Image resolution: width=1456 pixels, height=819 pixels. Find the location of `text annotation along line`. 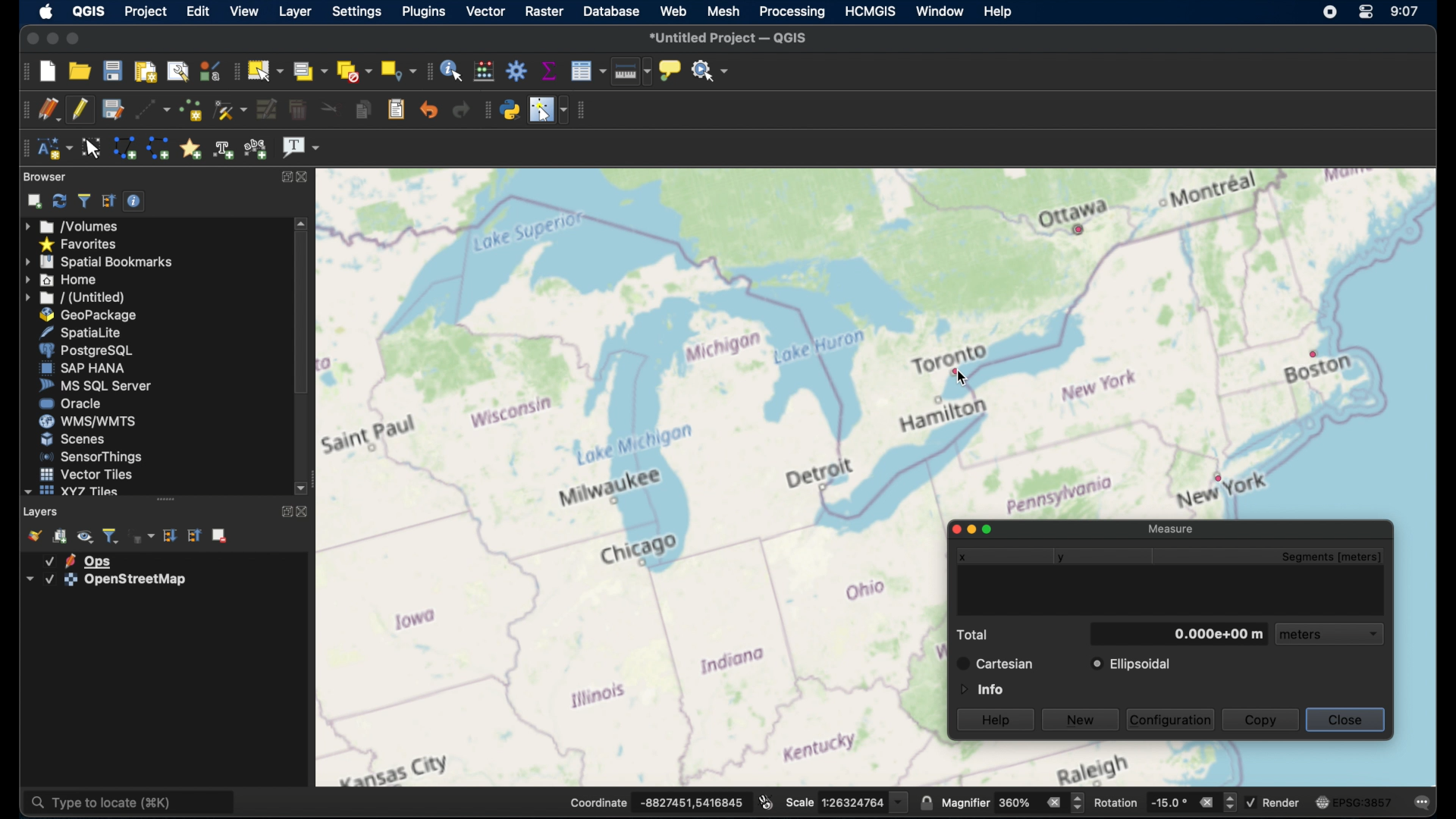

text annotation along line is located at coordinates (258, 148).